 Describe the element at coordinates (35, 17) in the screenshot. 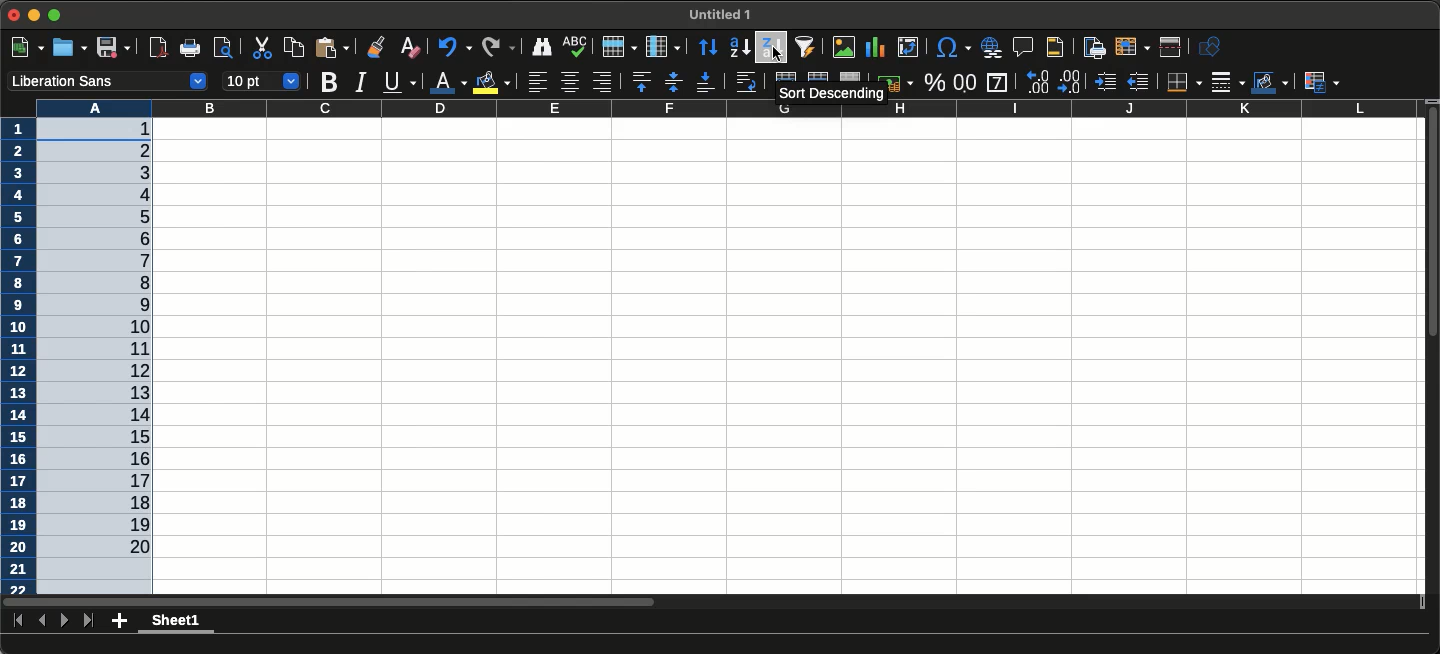

I see `Minimize` at that location.